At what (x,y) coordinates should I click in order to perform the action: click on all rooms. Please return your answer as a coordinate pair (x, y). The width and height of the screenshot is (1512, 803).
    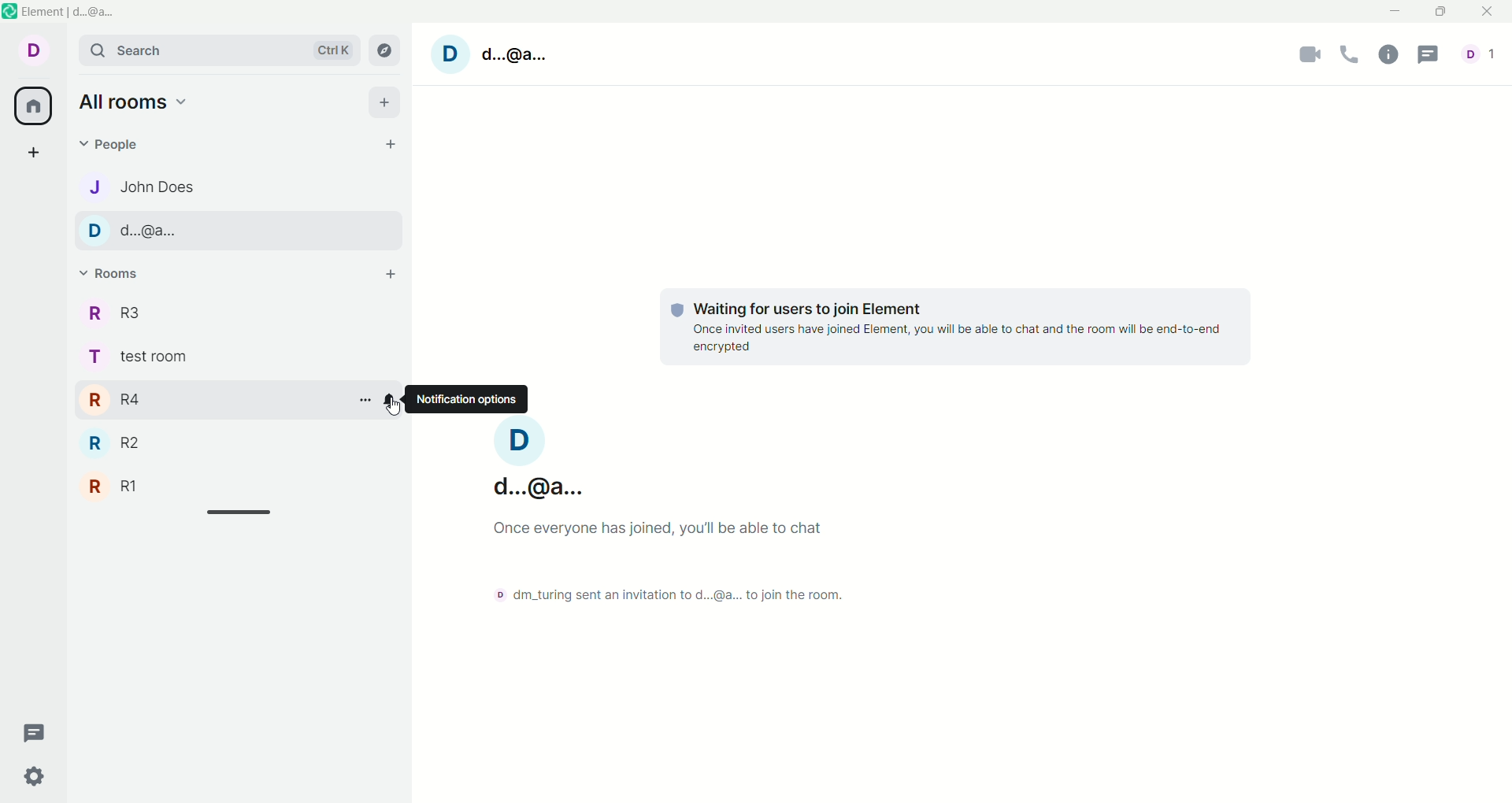
    Looking at the image, I should click on (139, 101).